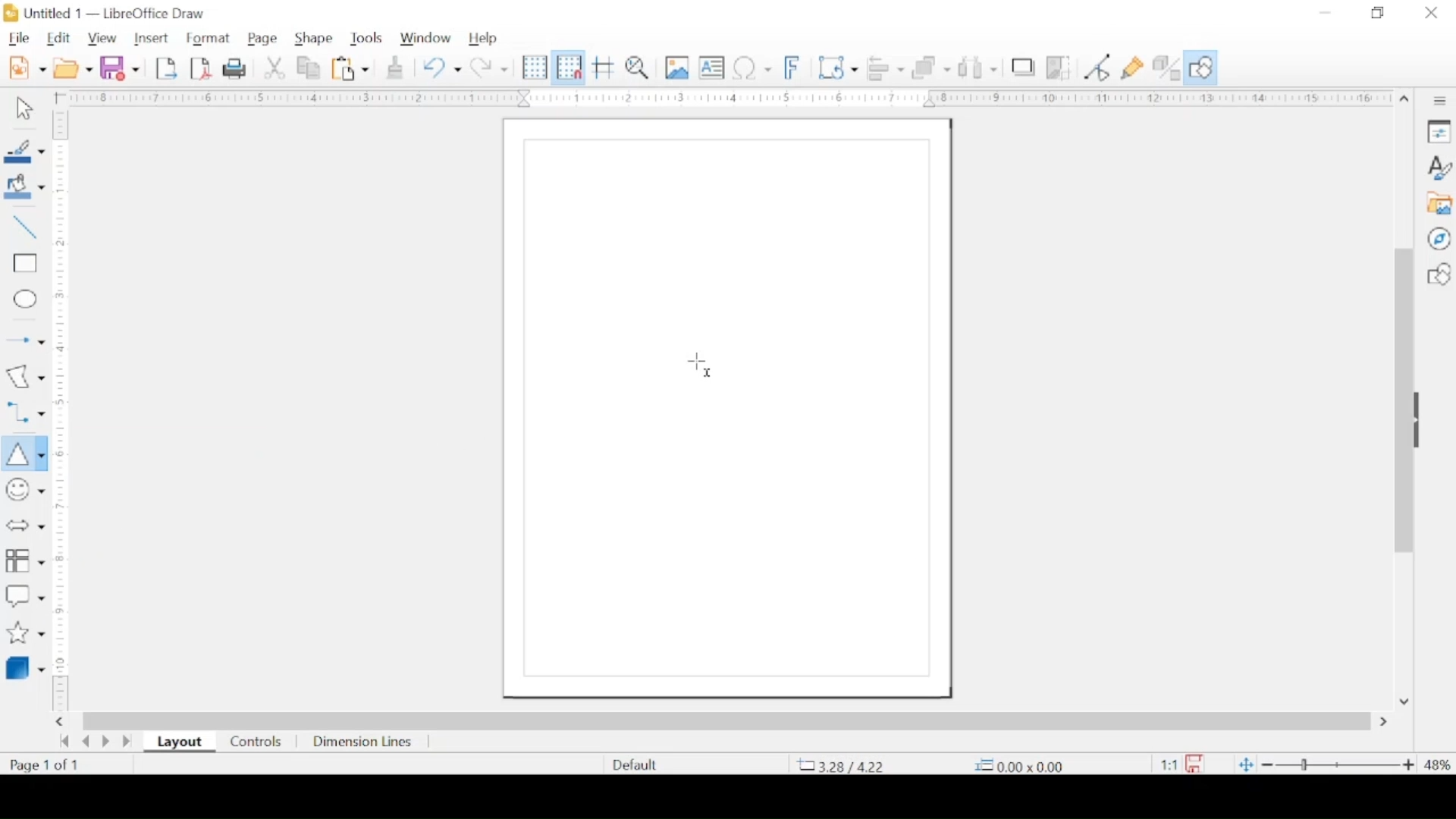 The height and width of the screenshot is (819, 1456). What do you see at coordinates (425, 36) in the screenshot?
I see `window` at bounding box center [425, 36].